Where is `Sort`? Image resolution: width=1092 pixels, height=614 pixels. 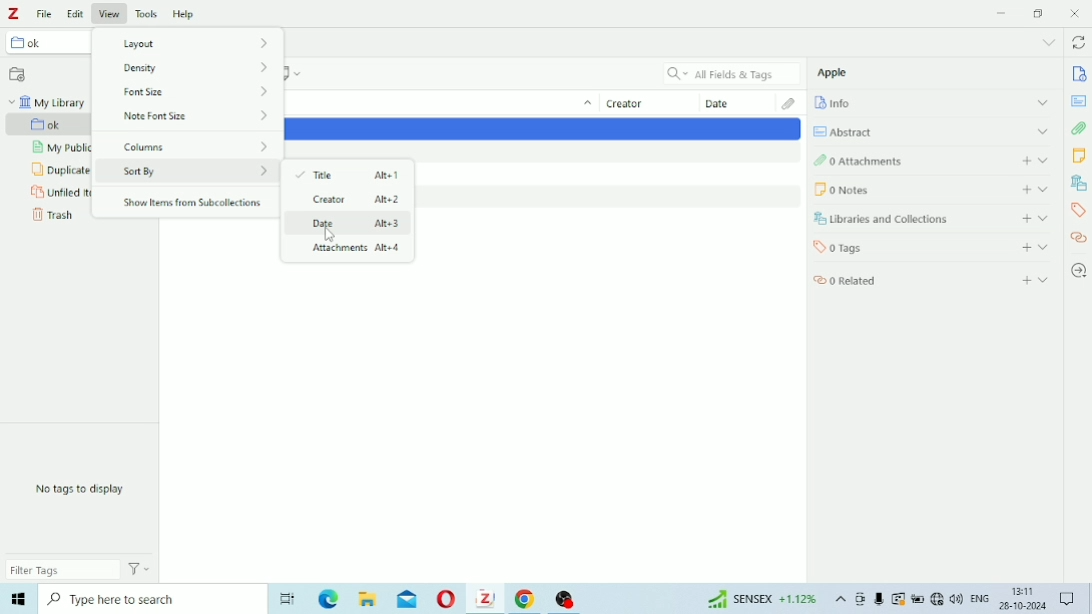 Sort is located at coordinates (585, 105).